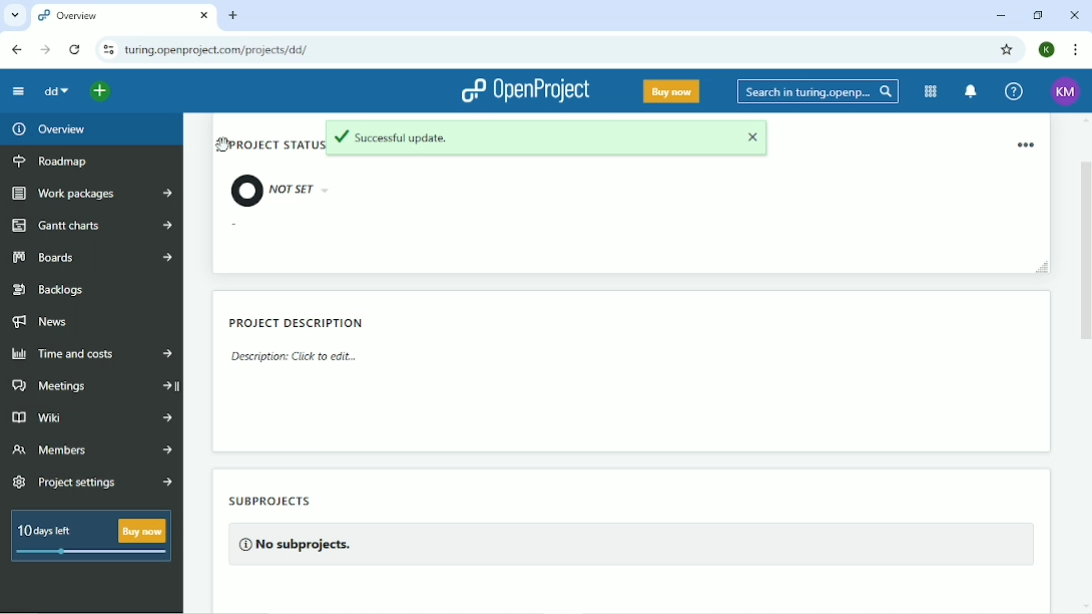  I want to click on Roadmap, so click(53, 161).